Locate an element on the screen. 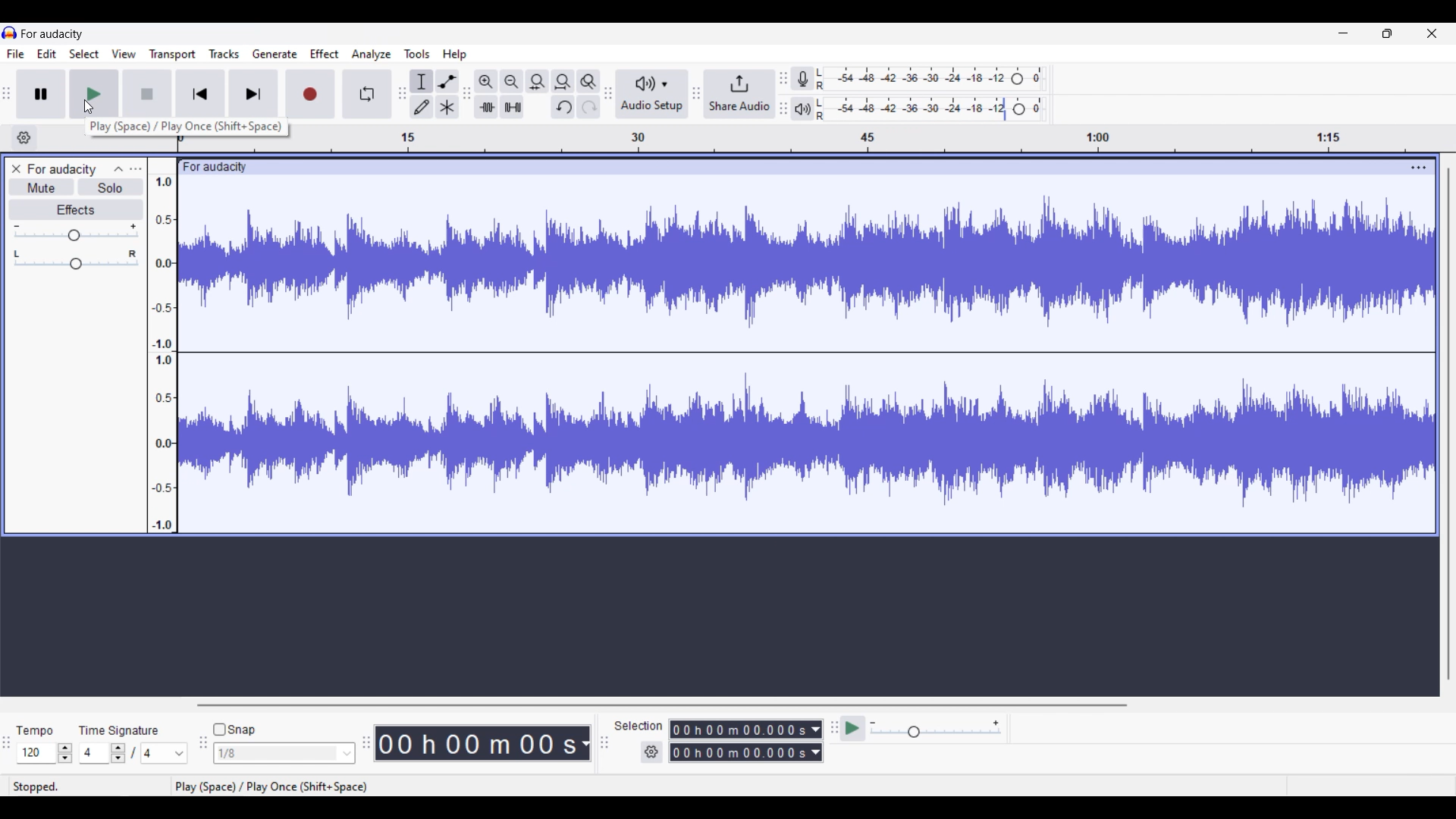  Mute is located at coordinates (42, 187).